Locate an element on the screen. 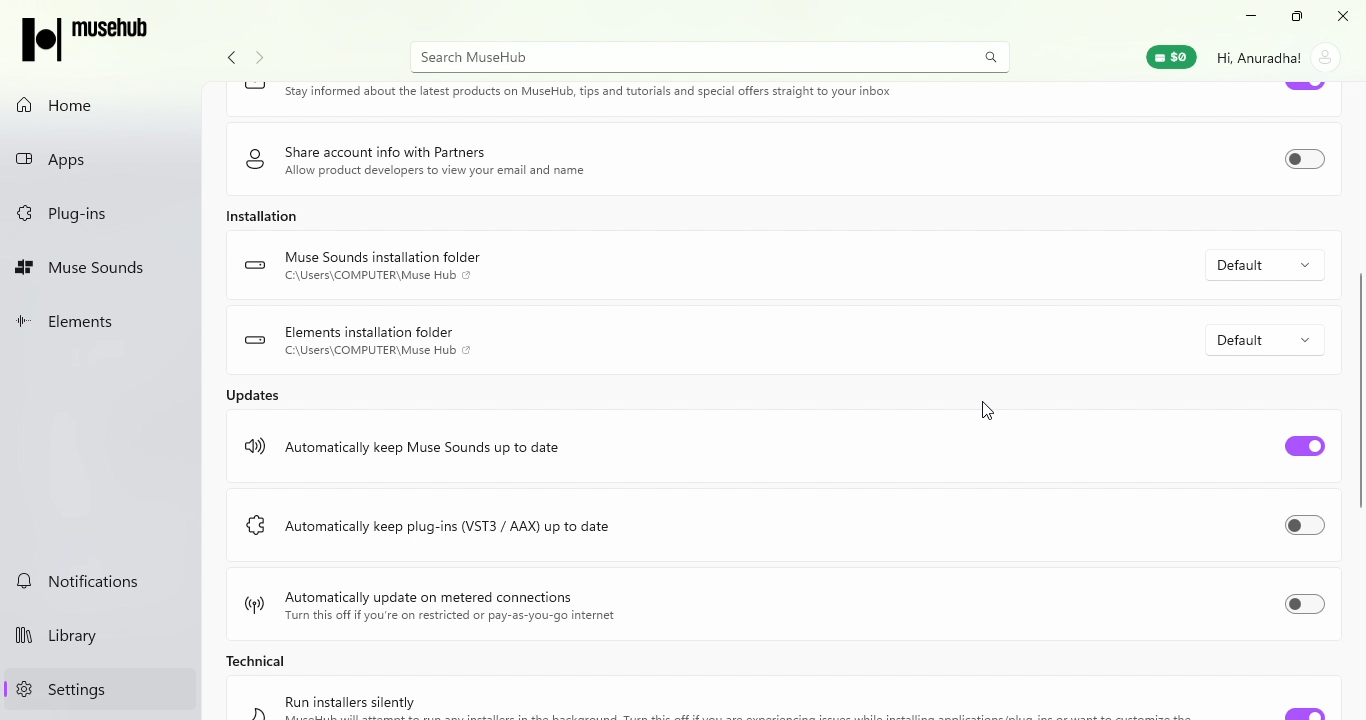 This screenshot has height=720, width=1366. Plug-ins is located at coordinates (95, 214).